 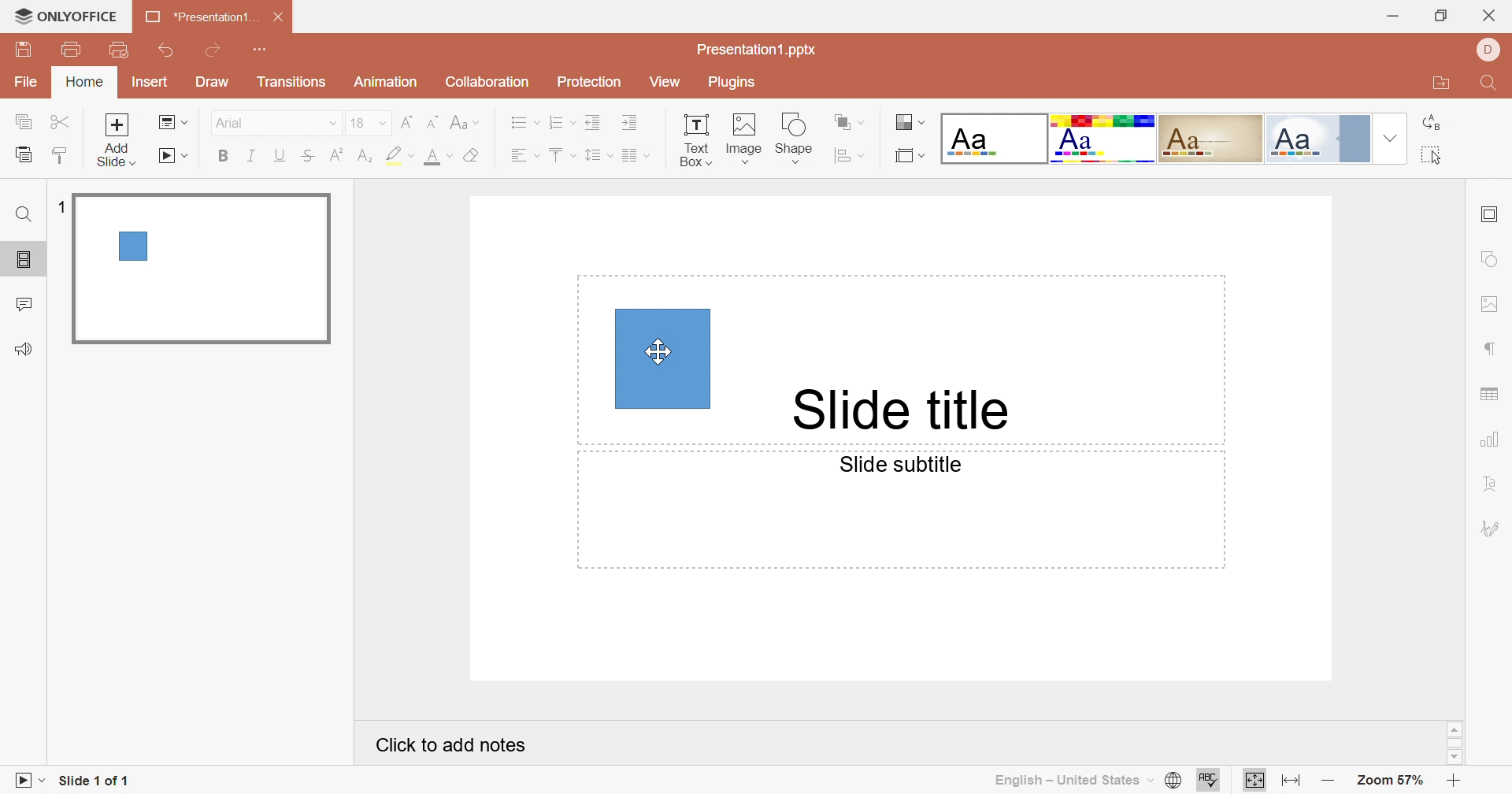 What do you see at coordinates (1492, 525) in the screenshot?
I see `Signature settings` at bounding box center [1492, 525].